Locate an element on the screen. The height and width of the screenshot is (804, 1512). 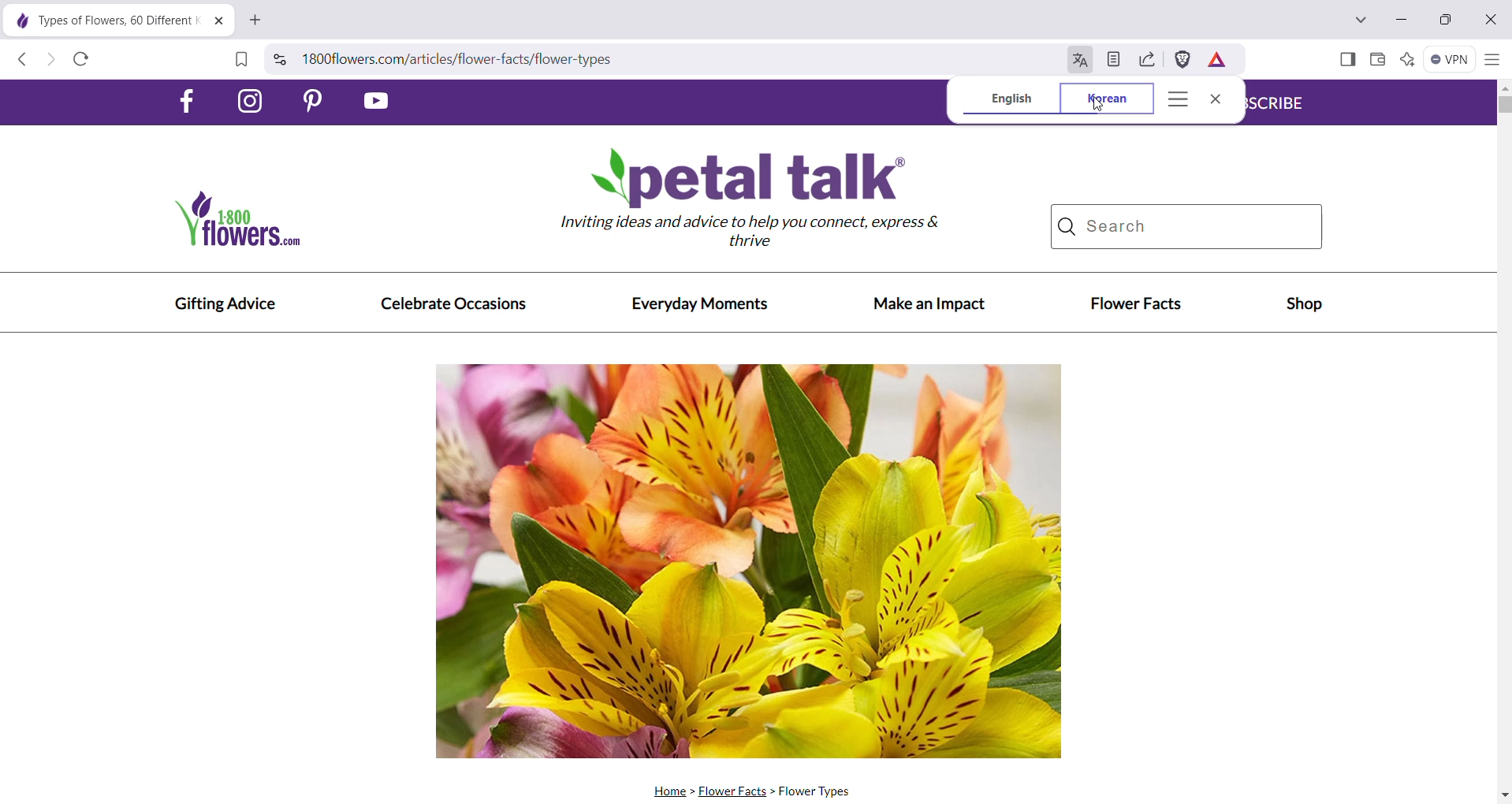
Search tabs is located at coordinates (1360, 21).